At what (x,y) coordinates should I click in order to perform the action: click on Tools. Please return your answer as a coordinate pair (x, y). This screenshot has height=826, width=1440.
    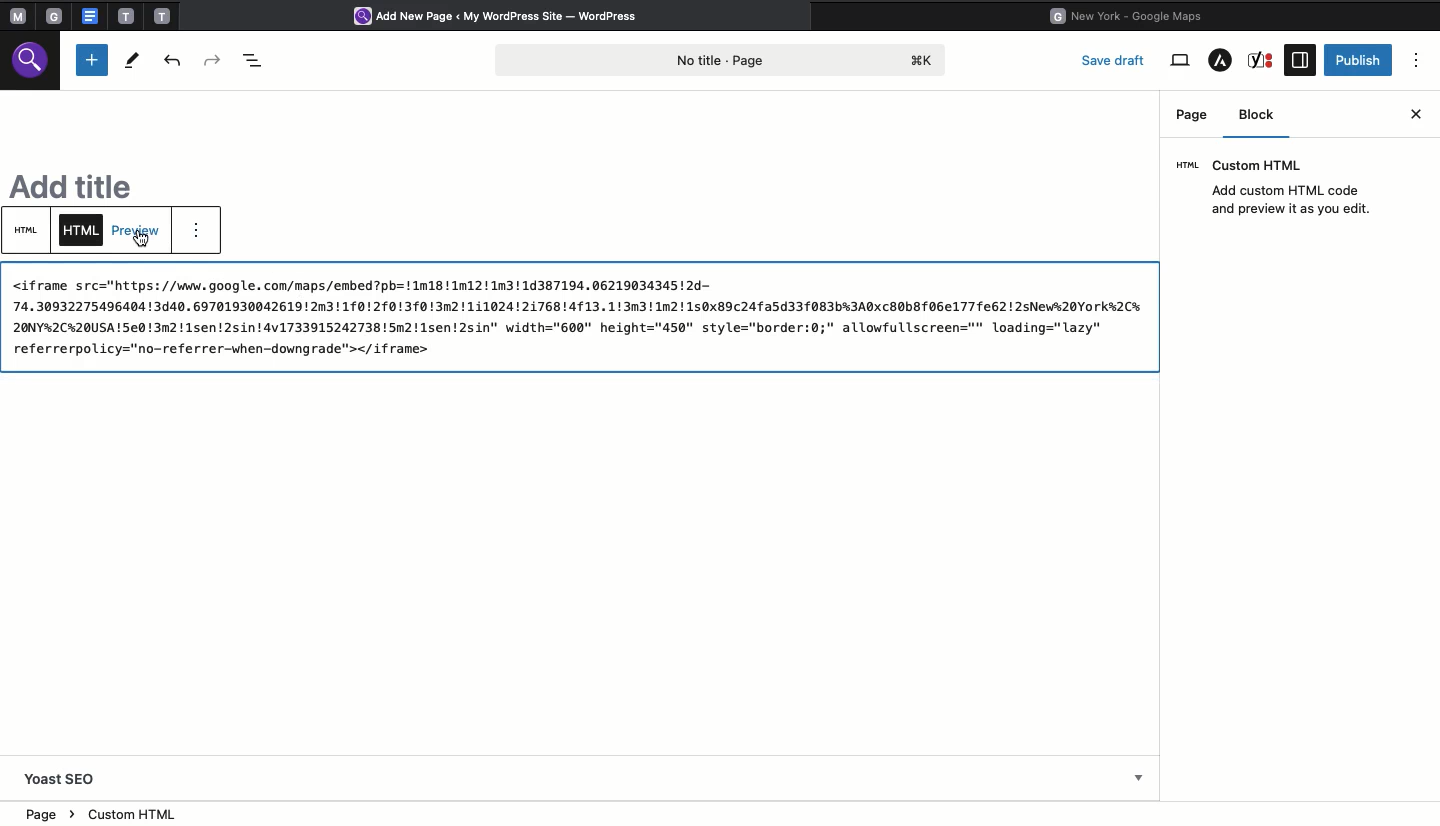
    Looking at the image, I should click on (131, 60).